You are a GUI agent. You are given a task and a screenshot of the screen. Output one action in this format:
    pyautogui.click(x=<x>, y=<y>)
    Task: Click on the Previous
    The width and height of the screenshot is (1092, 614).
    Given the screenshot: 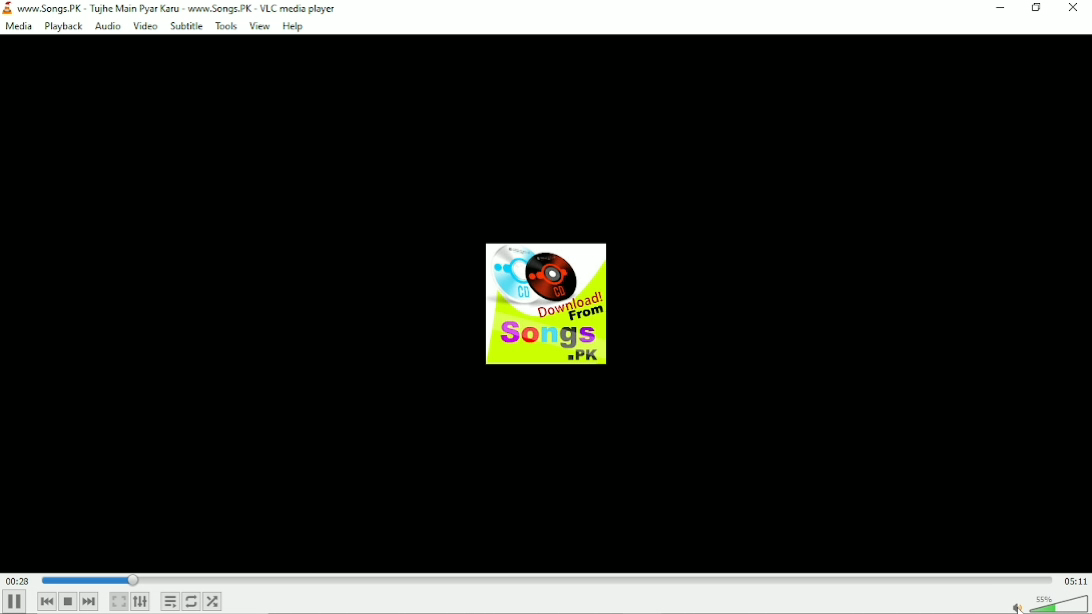 What is the action you would take?
    pyautogui.click(x=46, y=602)
    